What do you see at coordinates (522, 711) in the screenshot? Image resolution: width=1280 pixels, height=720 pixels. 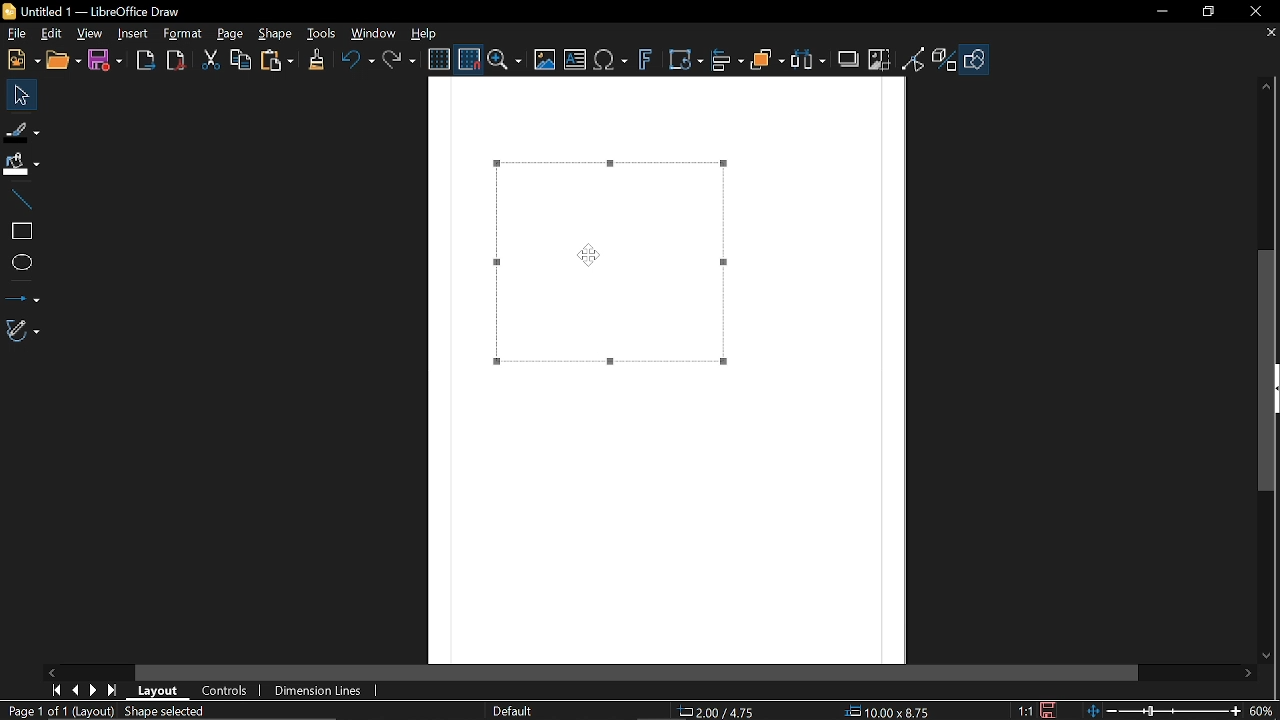 I see `Slide master name` at bounding box center [522, 711].